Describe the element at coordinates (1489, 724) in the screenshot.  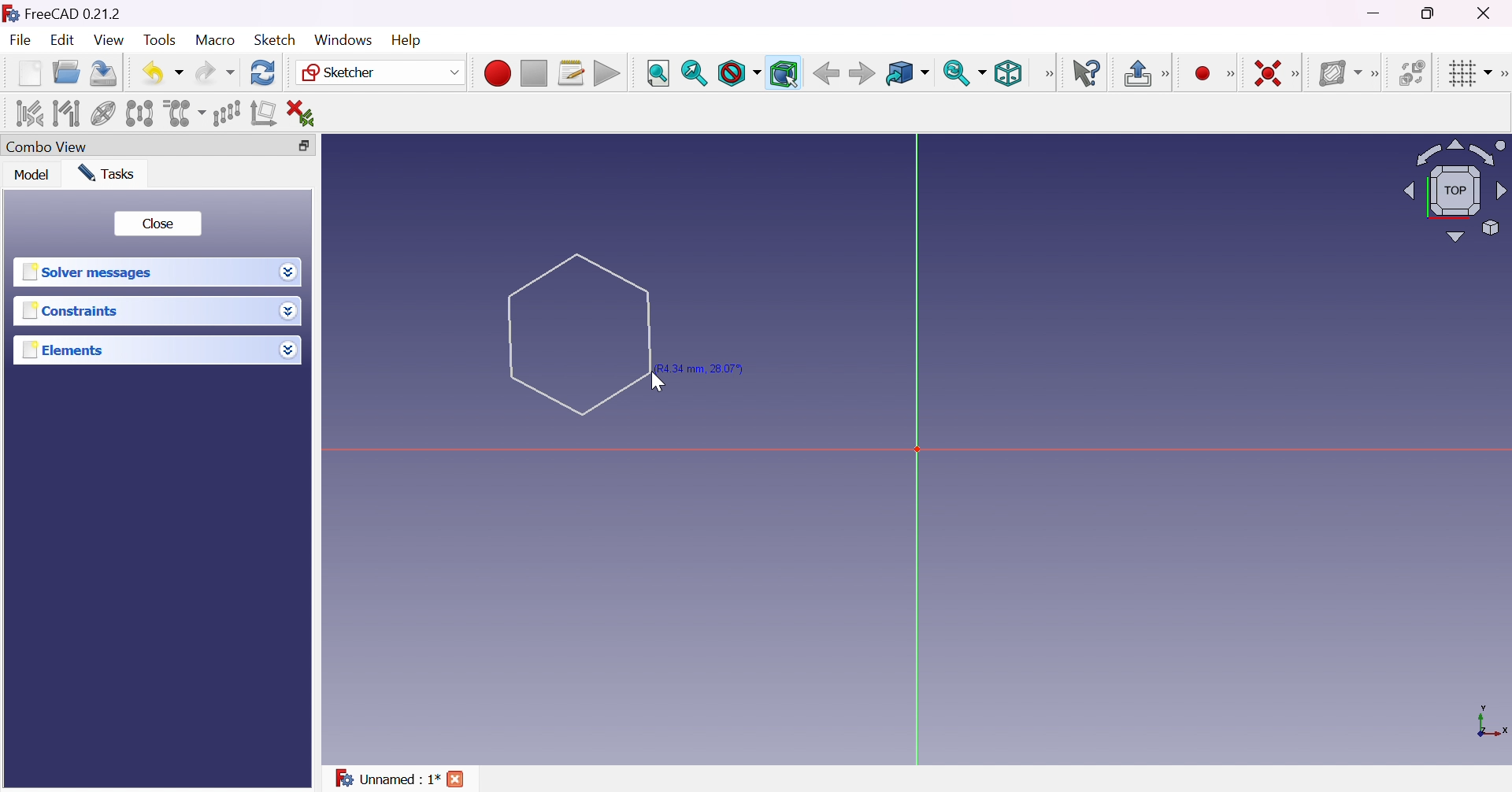
I see `x, y axis` at that location.